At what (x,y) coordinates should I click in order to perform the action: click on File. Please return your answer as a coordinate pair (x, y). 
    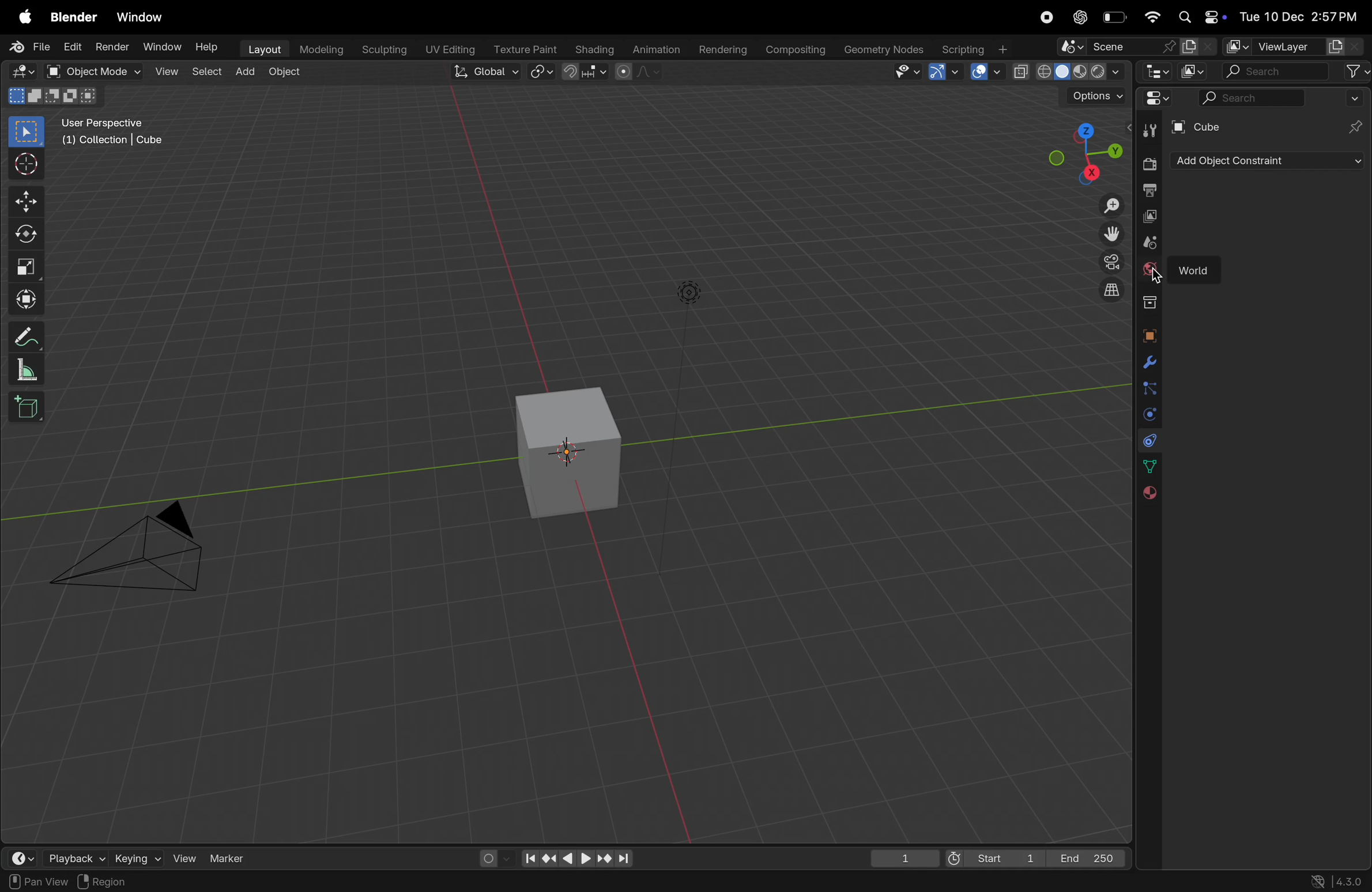
    Looking at the image, I should click on (31, 48).